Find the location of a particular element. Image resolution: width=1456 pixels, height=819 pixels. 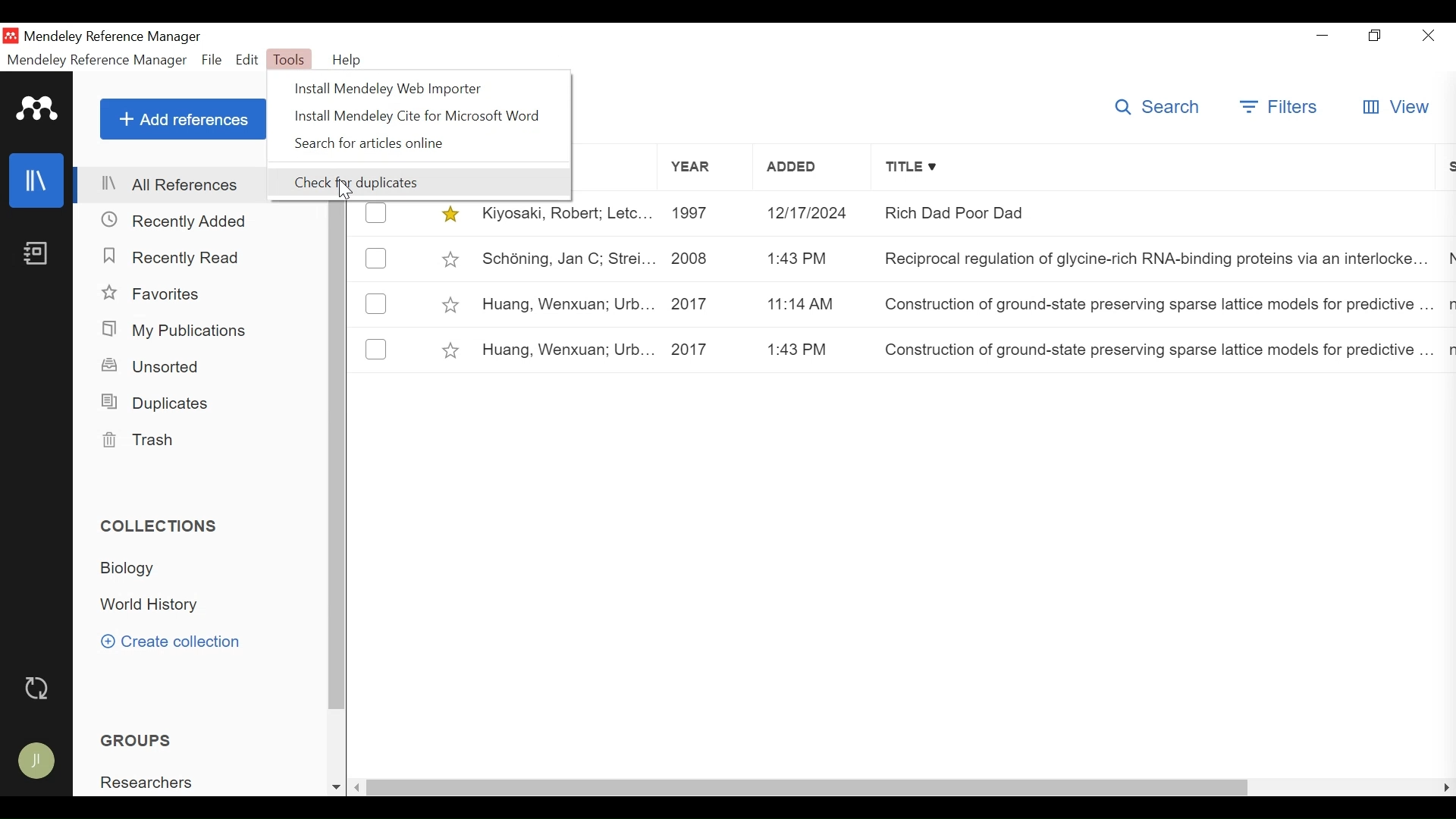

Avatar is located at coordinates (39, 758).